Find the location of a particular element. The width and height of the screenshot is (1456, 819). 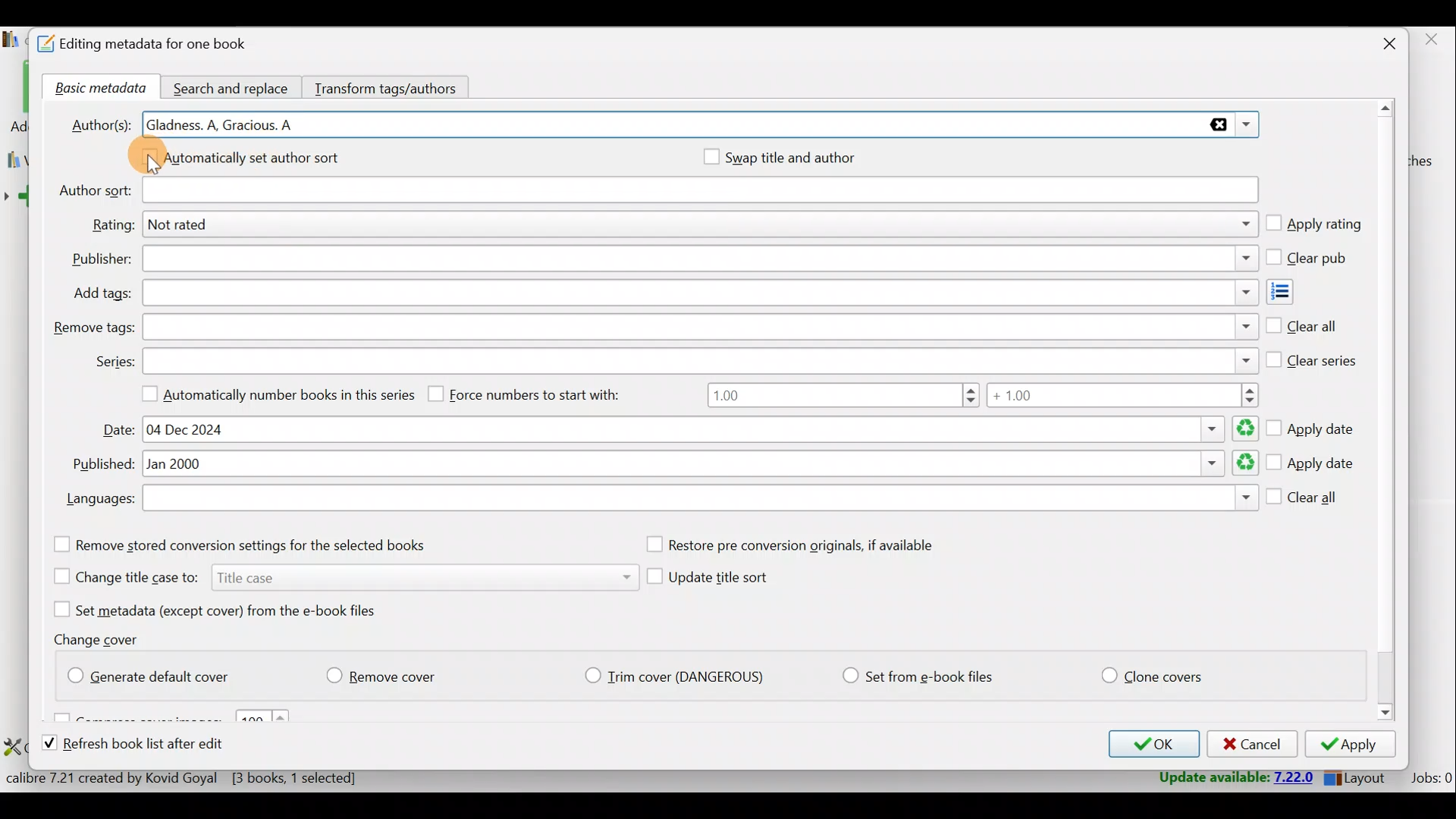

Number range is located at coordinates (982, 397).